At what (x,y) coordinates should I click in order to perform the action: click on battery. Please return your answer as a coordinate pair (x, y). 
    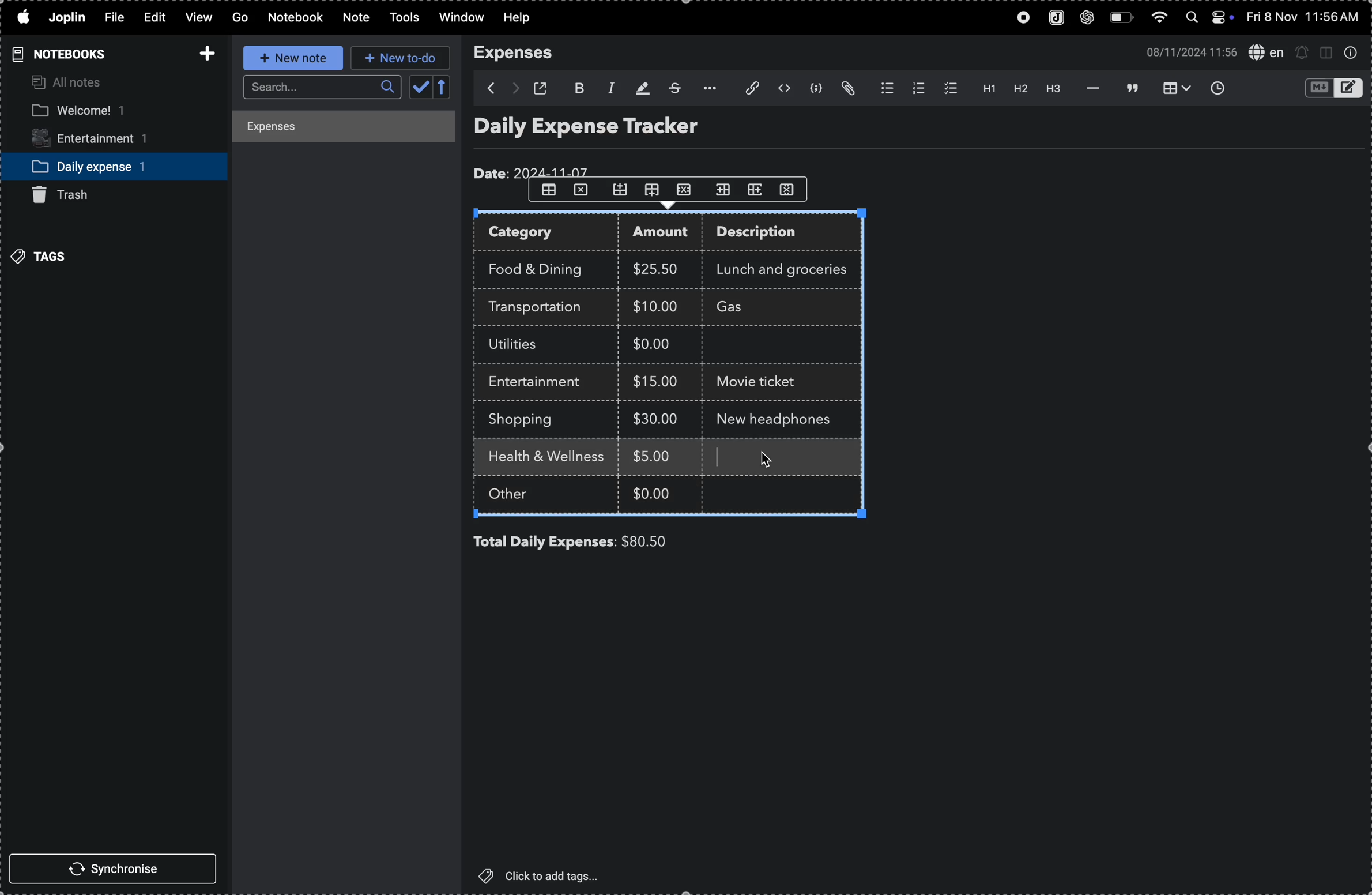
    Looking at the image, I should click on (1121, 18).